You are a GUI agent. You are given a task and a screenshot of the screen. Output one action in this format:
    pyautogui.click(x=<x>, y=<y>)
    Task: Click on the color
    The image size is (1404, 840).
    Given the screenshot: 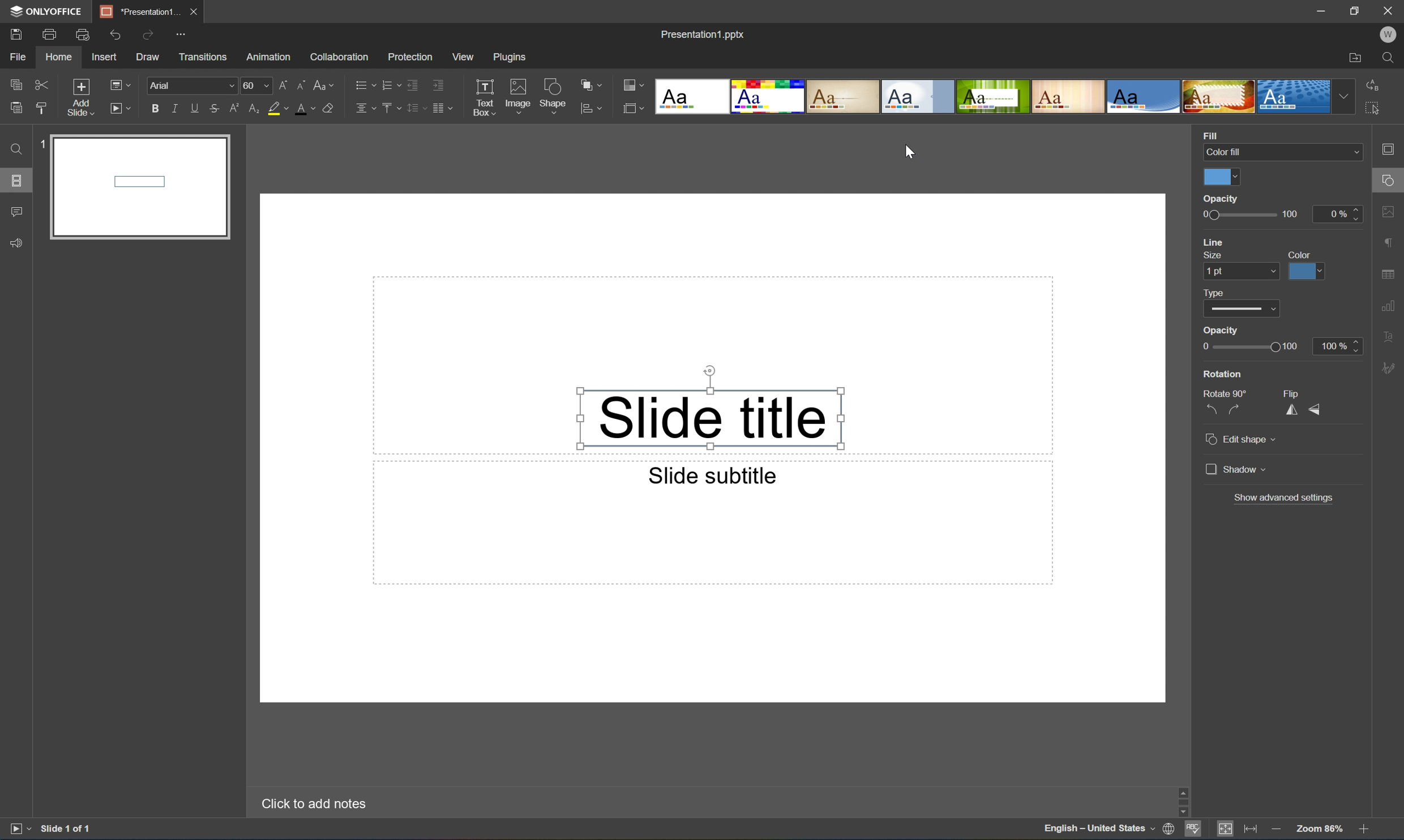 What is the action you would take?
    pyautogui.click(x=1305, y=272)
    